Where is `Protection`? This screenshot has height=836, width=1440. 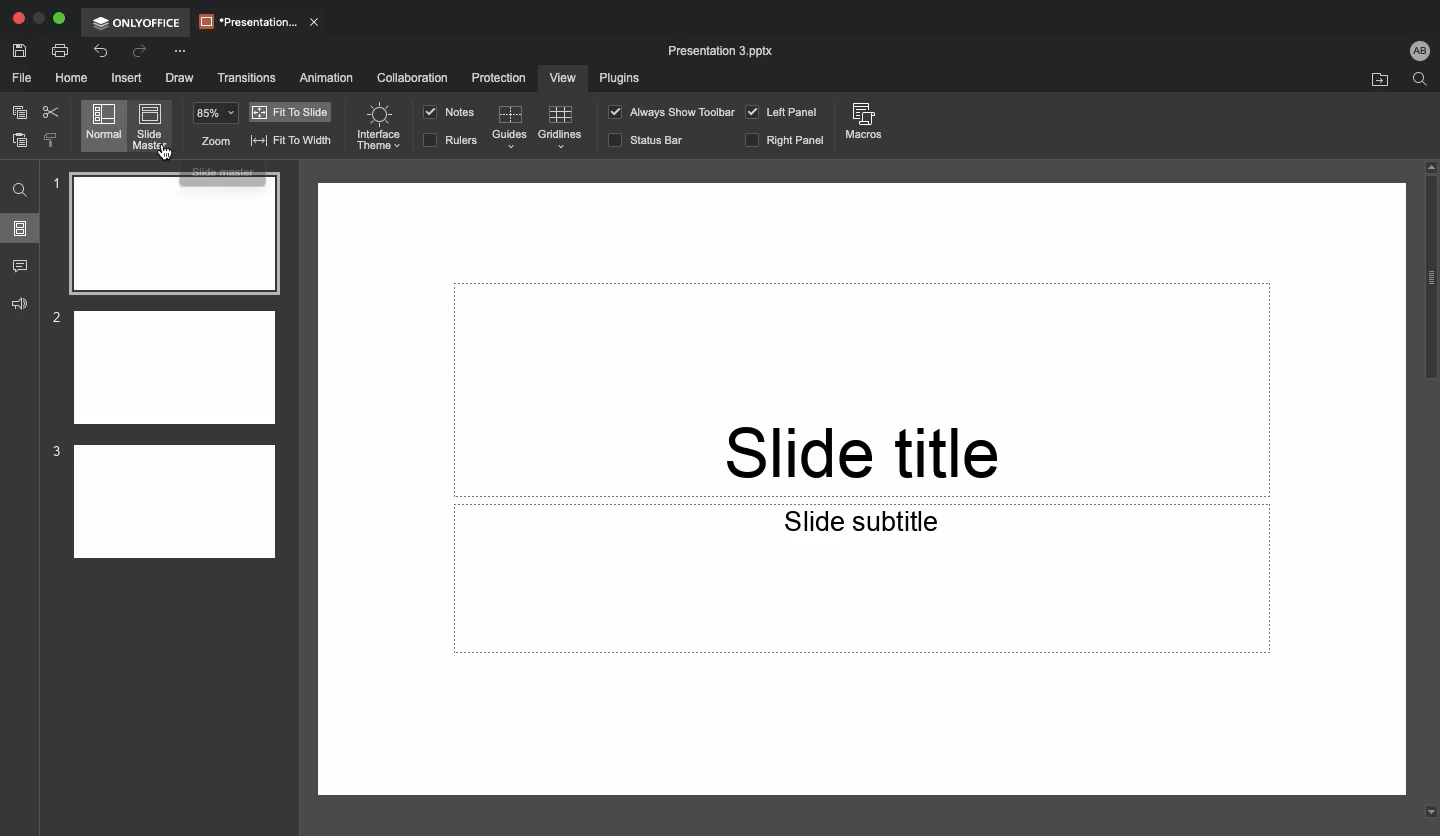
Protection is located at coordinates (497, 77).